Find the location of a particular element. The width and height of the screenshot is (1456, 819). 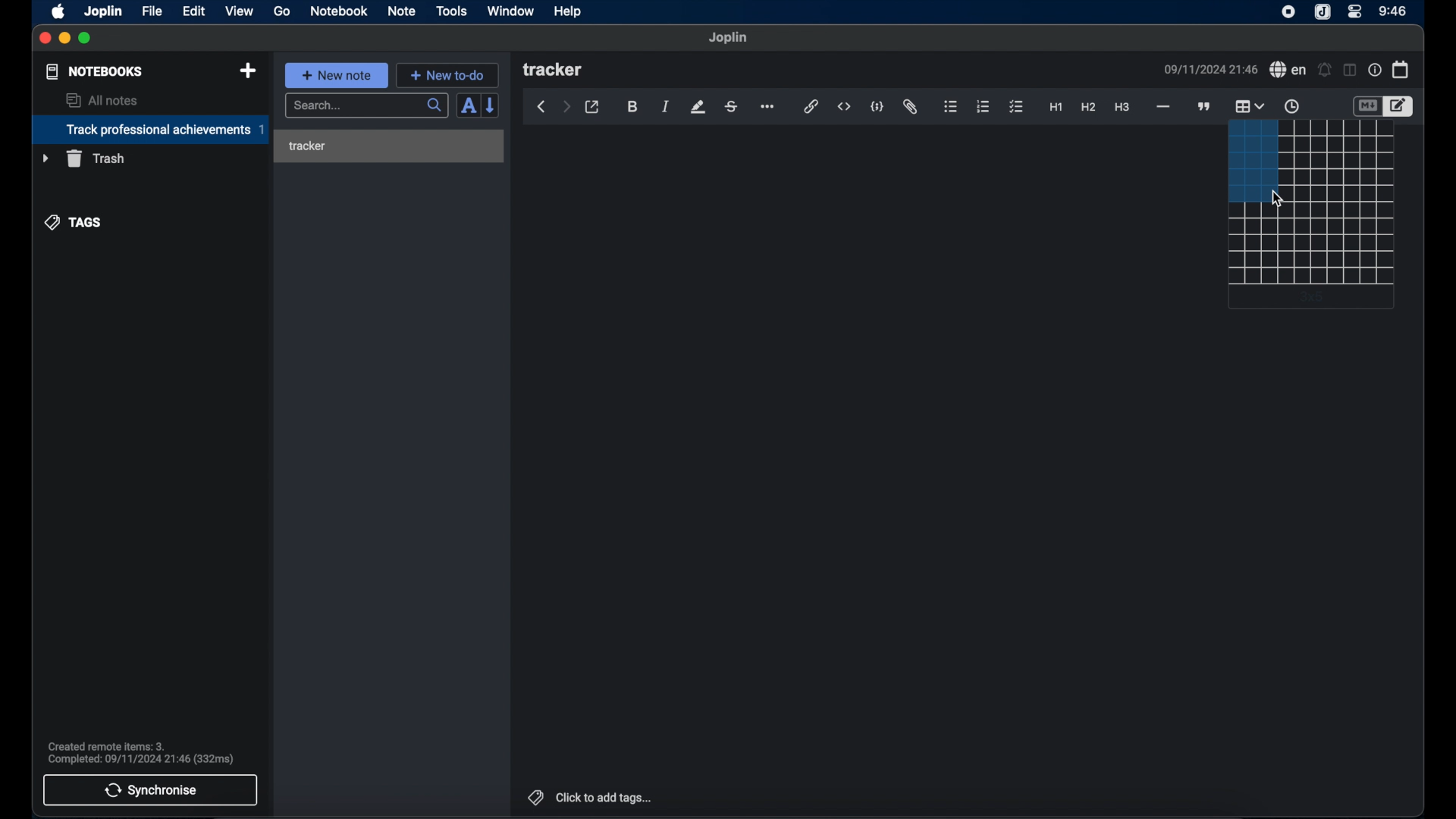

tags is located at coordinates (74, 221).